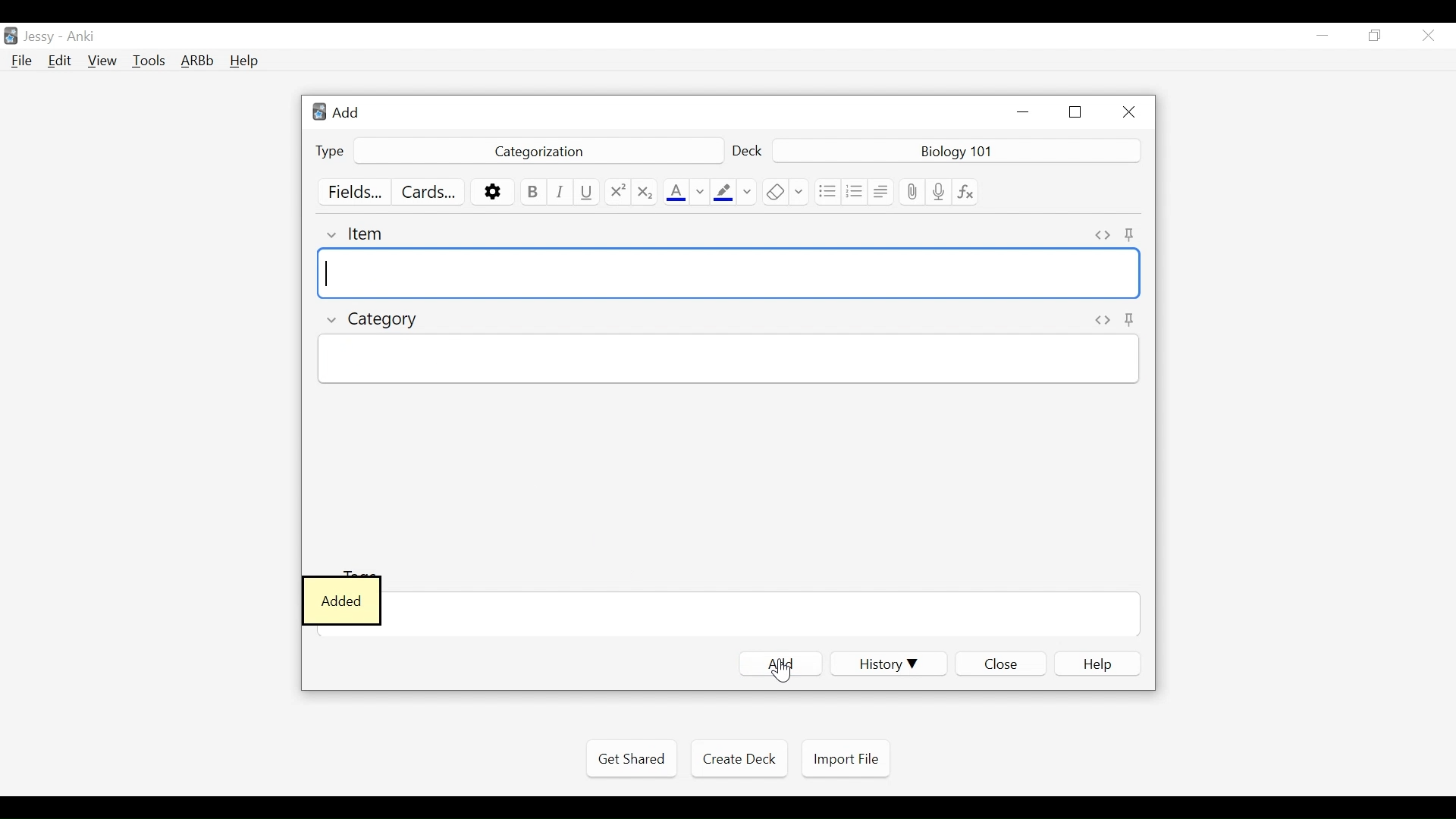  What do you see at coordinates (149, 60) in the screenshot?
I see `Tools` at bounding box center [149, 60].